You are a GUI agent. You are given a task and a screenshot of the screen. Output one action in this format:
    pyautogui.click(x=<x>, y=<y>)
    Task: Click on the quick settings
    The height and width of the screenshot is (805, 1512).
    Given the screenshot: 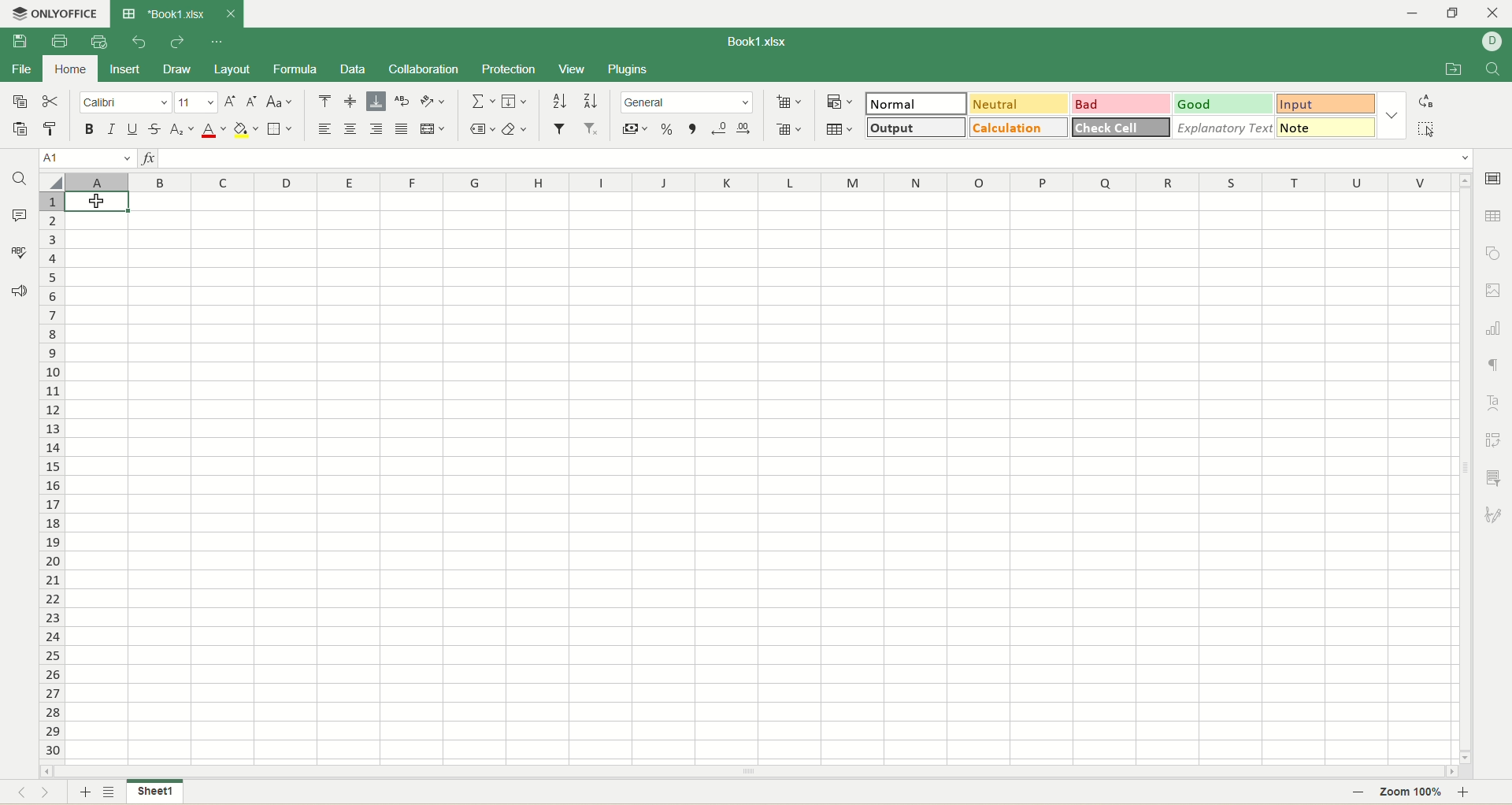 What is the action you would take?
    pyautogui.click(x=217, y=44)
    